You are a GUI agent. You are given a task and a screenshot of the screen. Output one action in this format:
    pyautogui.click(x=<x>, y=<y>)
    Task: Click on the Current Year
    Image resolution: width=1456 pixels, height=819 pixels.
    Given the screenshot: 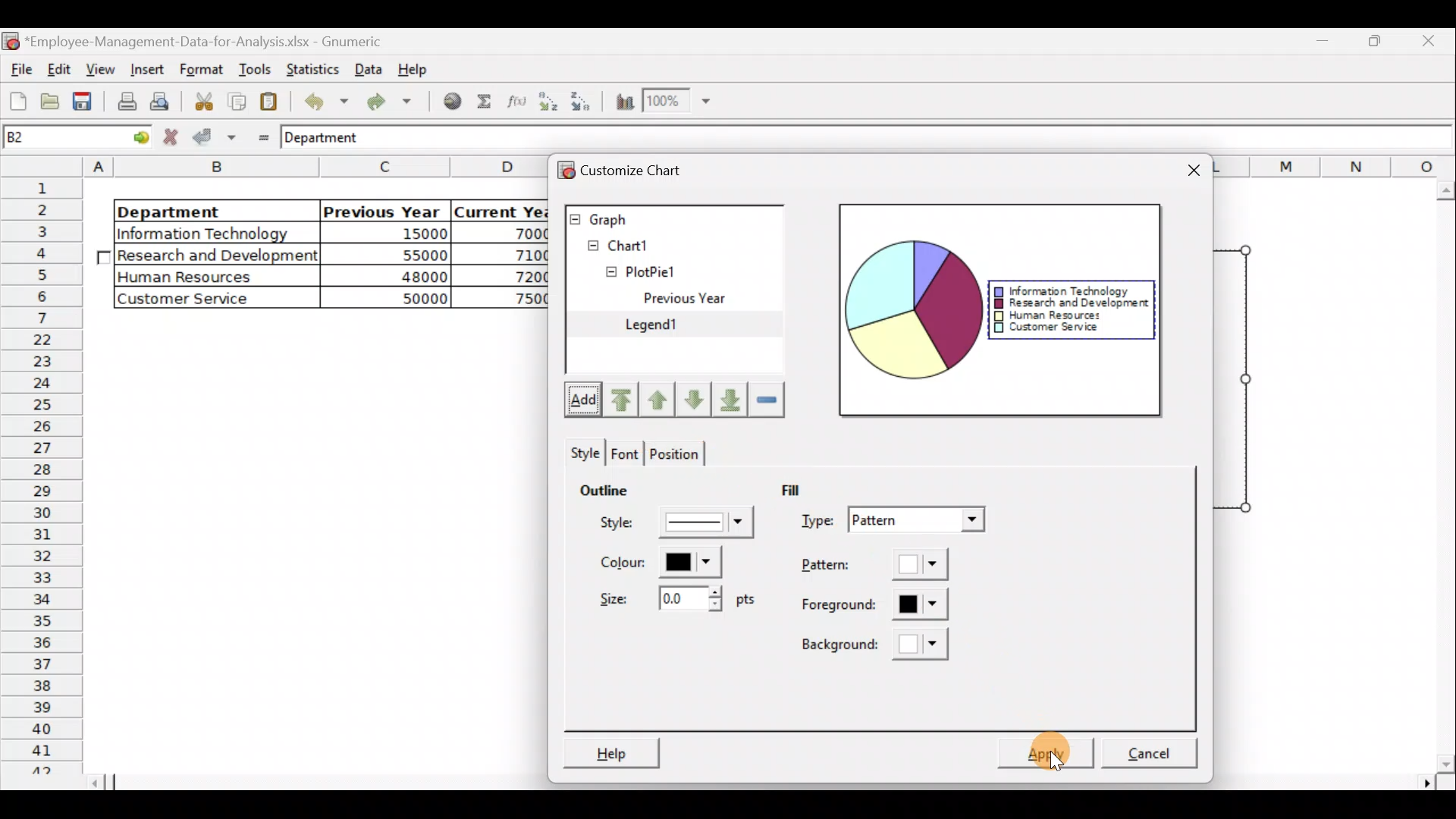 What is the action you would take?
    pyautogui.click(x=500, y=210)
    